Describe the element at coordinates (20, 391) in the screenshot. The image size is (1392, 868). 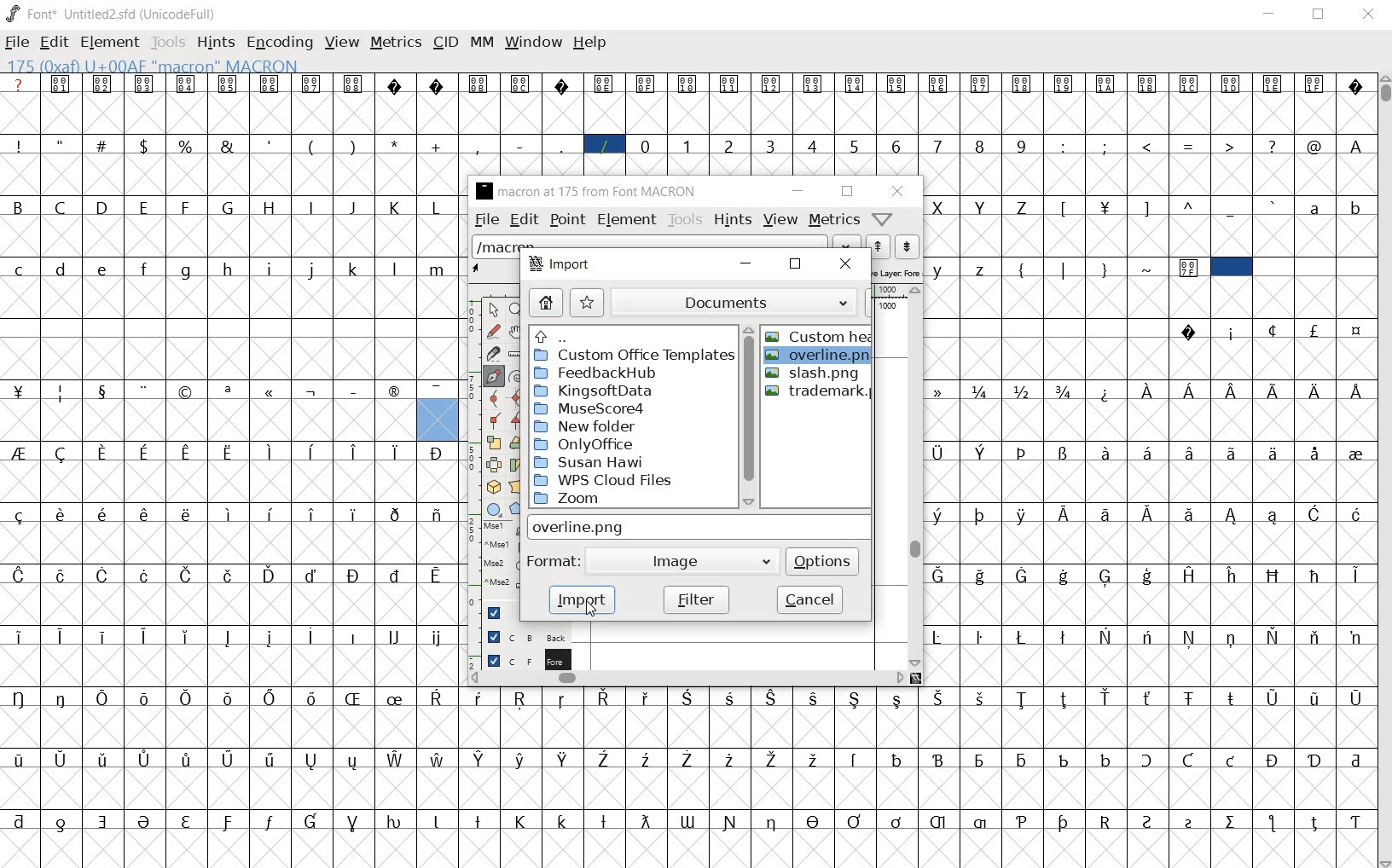
I see `Symbol` at that location.